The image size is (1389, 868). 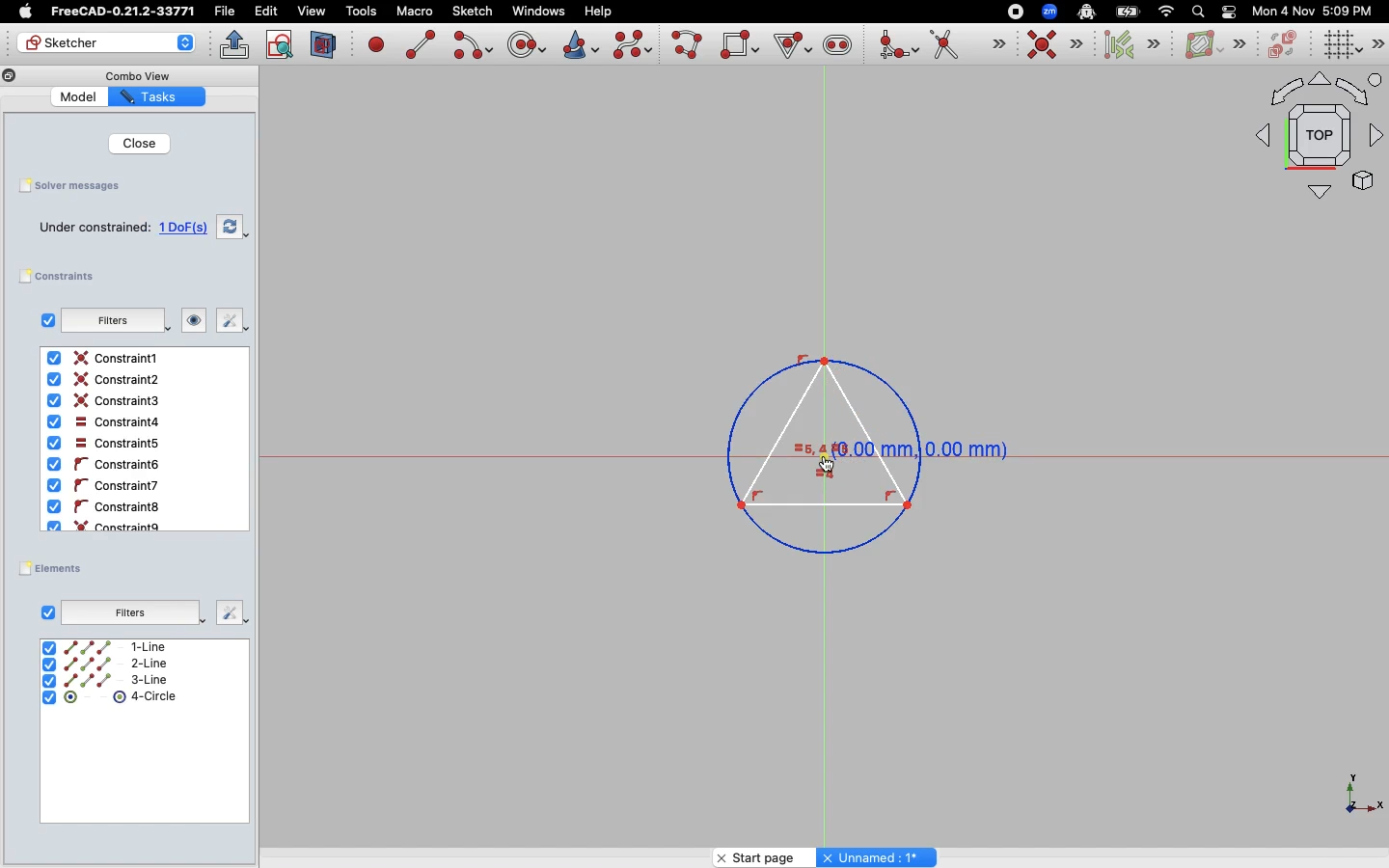 I want to click on Create fillet, so click(x=897, y=46).